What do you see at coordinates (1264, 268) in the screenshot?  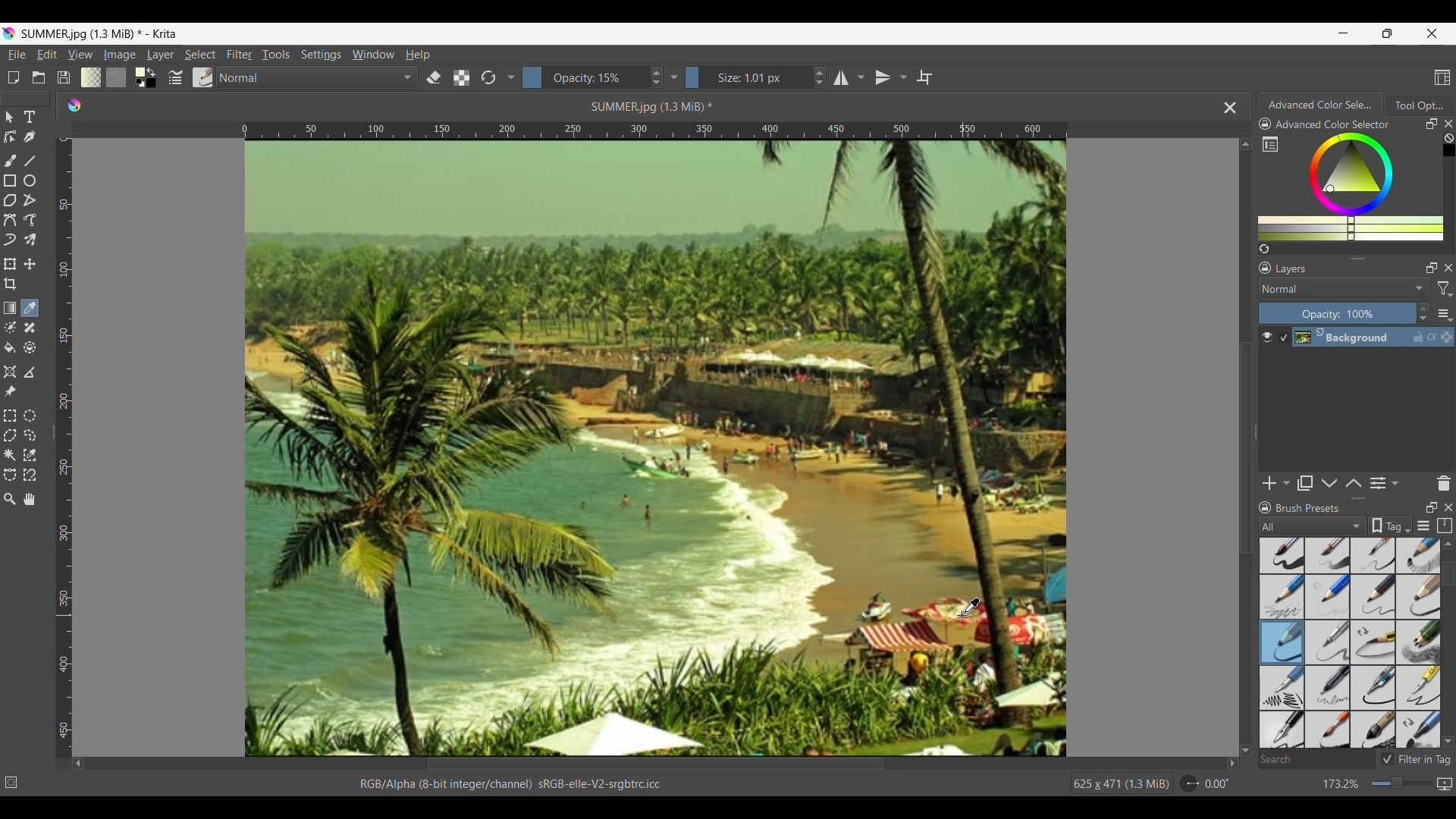 I see `Lock docker` at bounding box center [1264, 268].